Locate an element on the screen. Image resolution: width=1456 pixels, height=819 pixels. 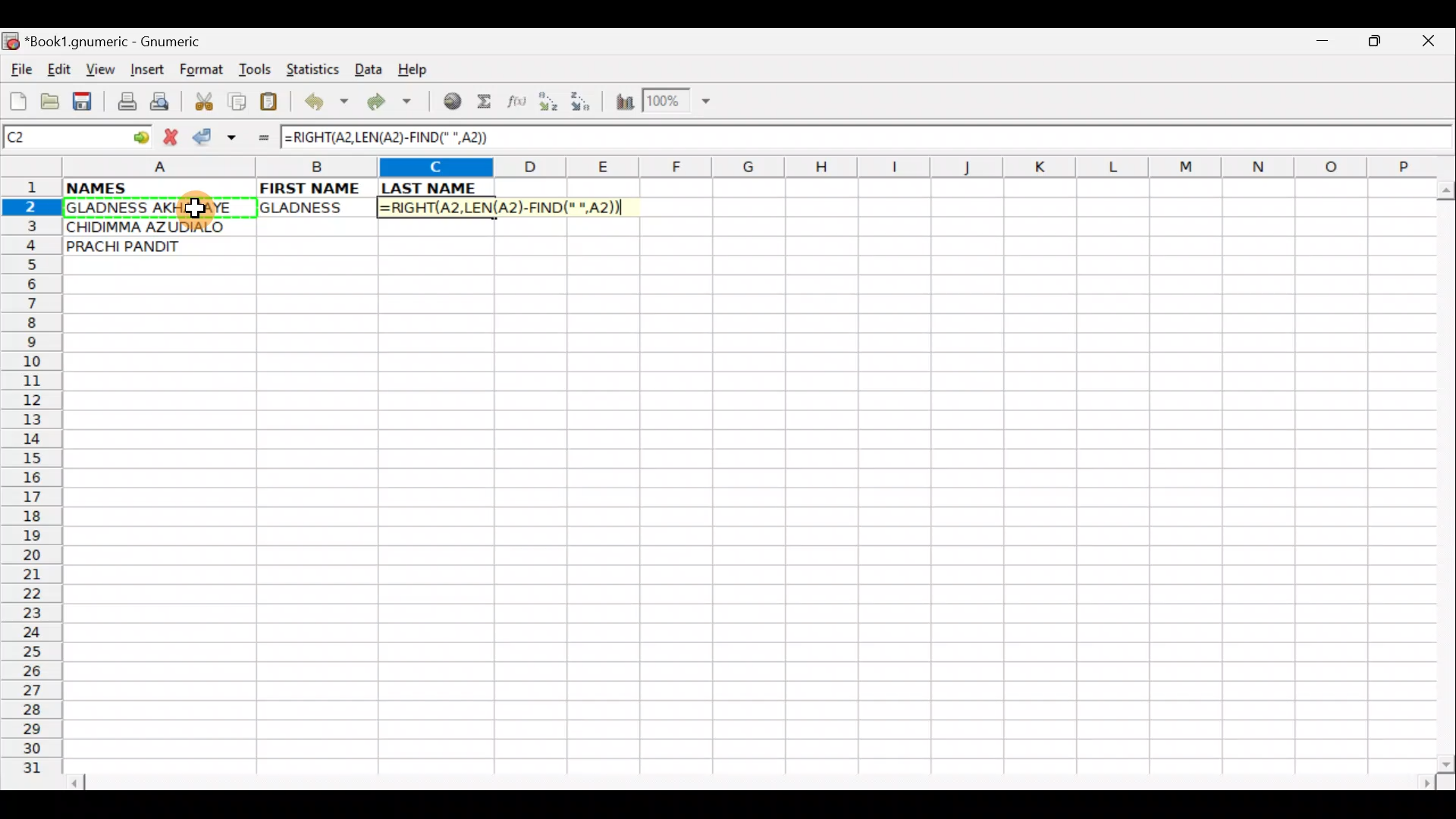
PRACHI PANDIT is located at coordinates (149, 246).